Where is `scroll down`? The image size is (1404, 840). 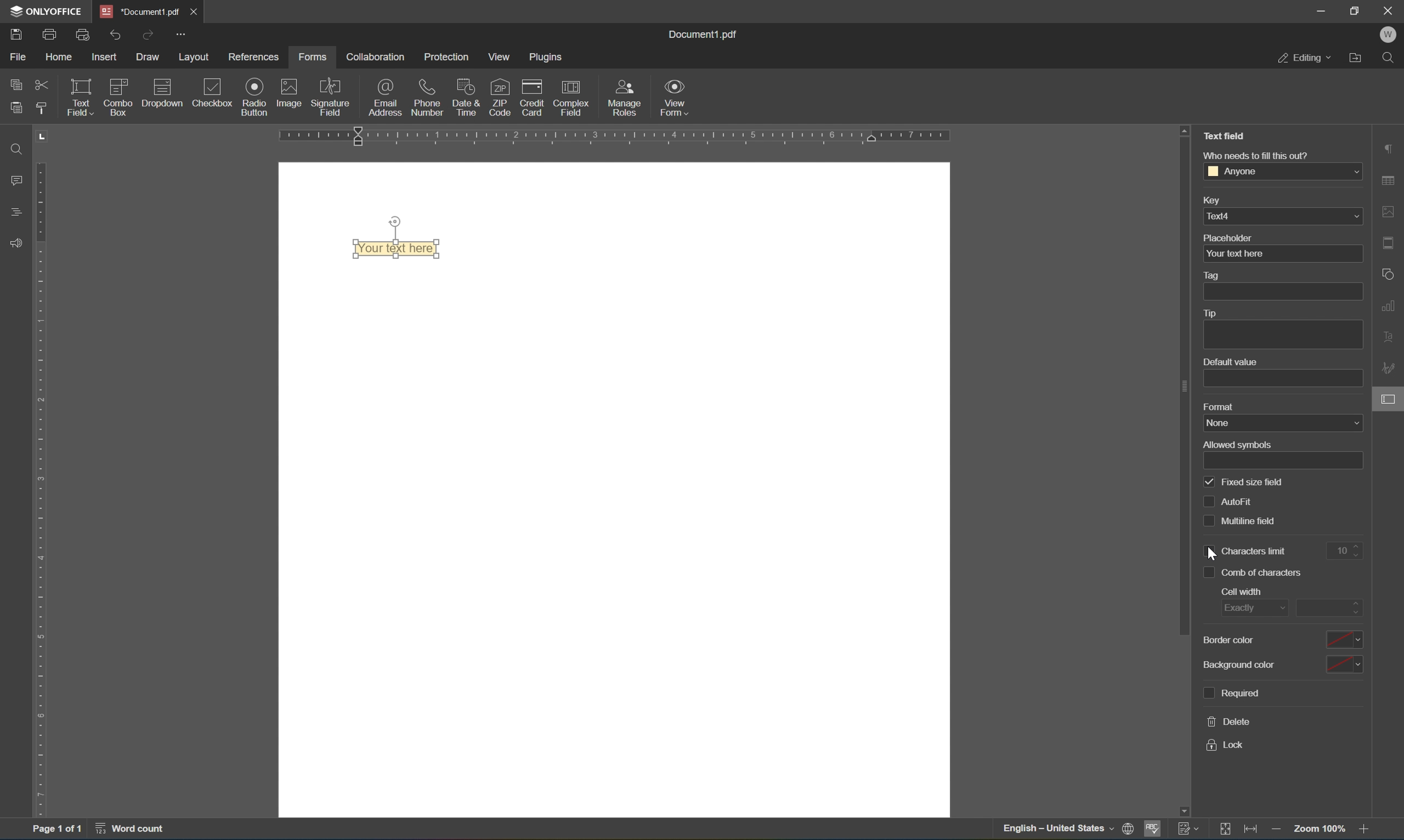
scroll down is located at coordinates (1368, 808).